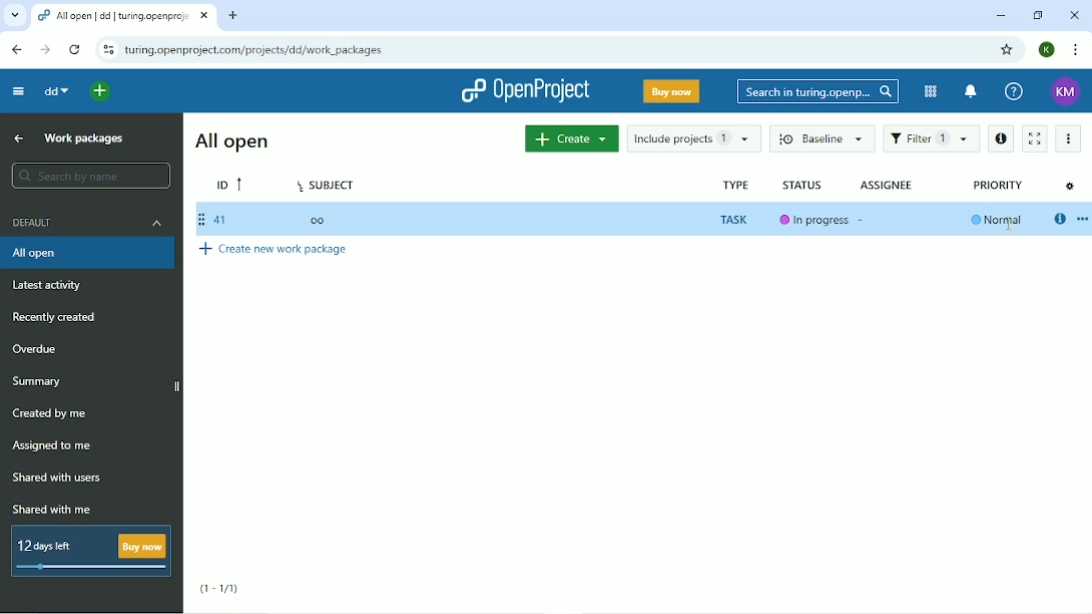 The height and width of the screenshot is (614, 1092). What do you see at coordinates (214, 220) in the screenshot?
I see `41` at bounding box center [214, 220].